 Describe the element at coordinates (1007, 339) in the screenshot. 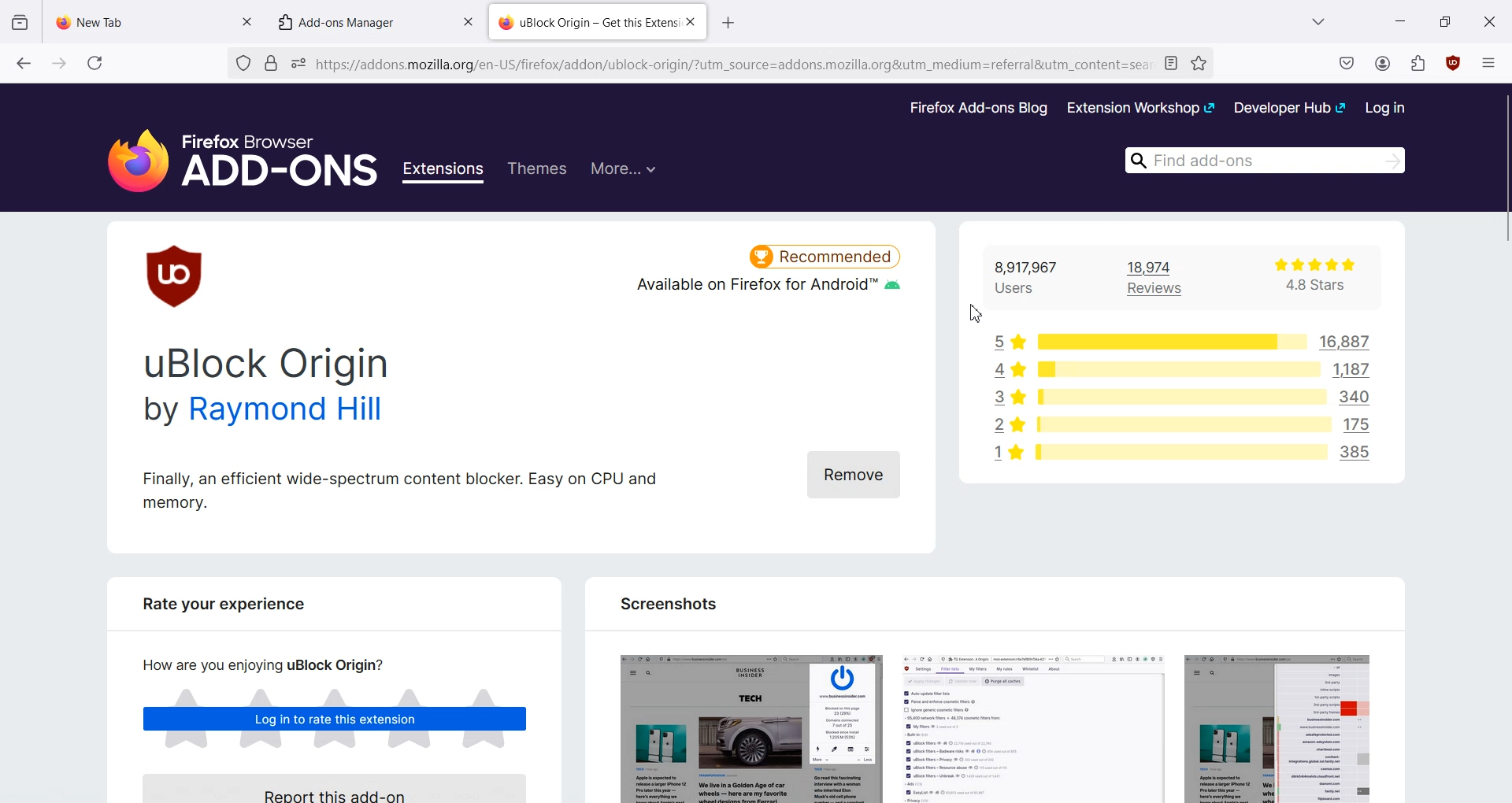

I see `5 star rating` at that location.